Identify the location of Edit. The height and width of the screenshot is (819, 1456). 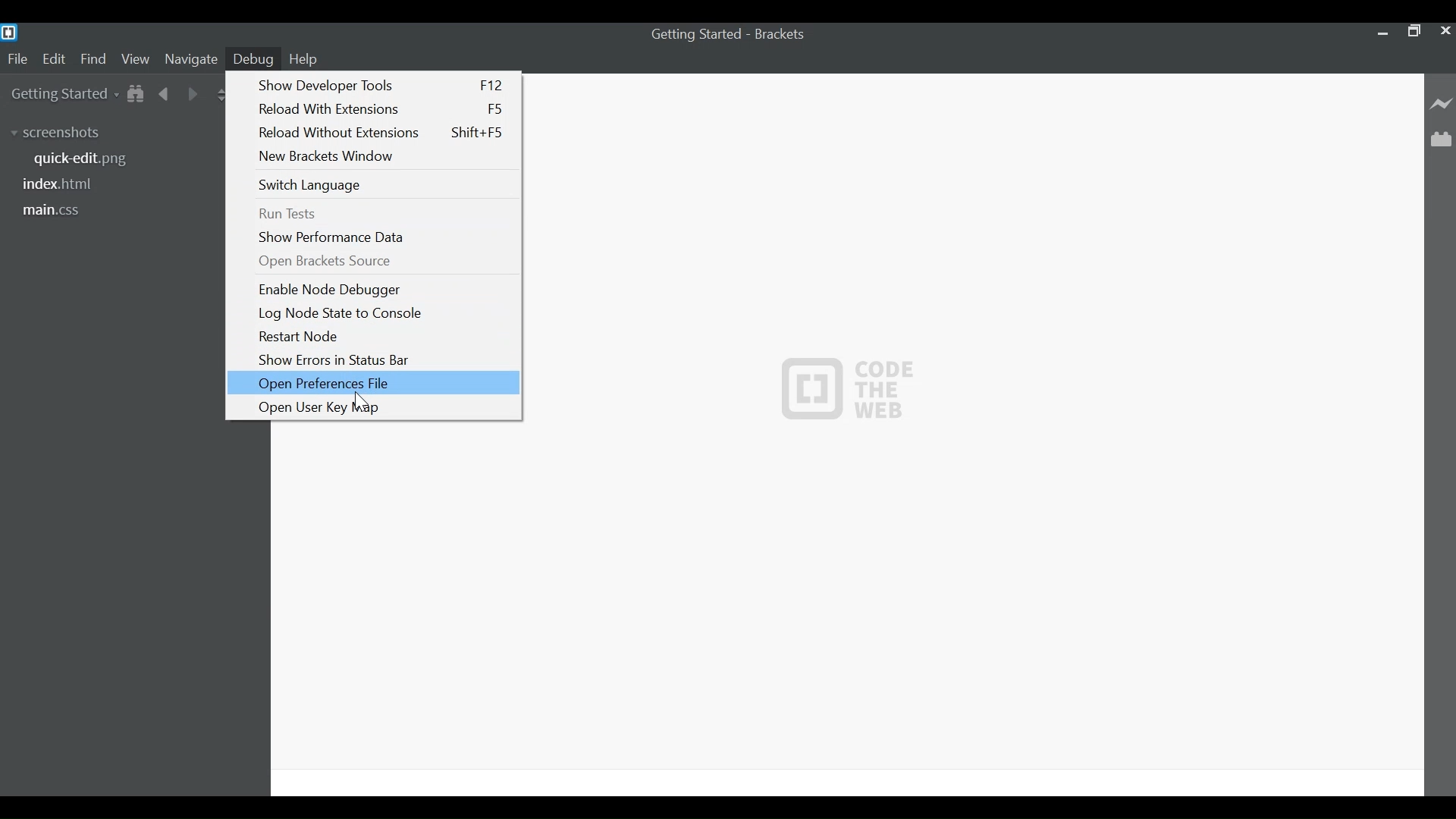
(54, 58).